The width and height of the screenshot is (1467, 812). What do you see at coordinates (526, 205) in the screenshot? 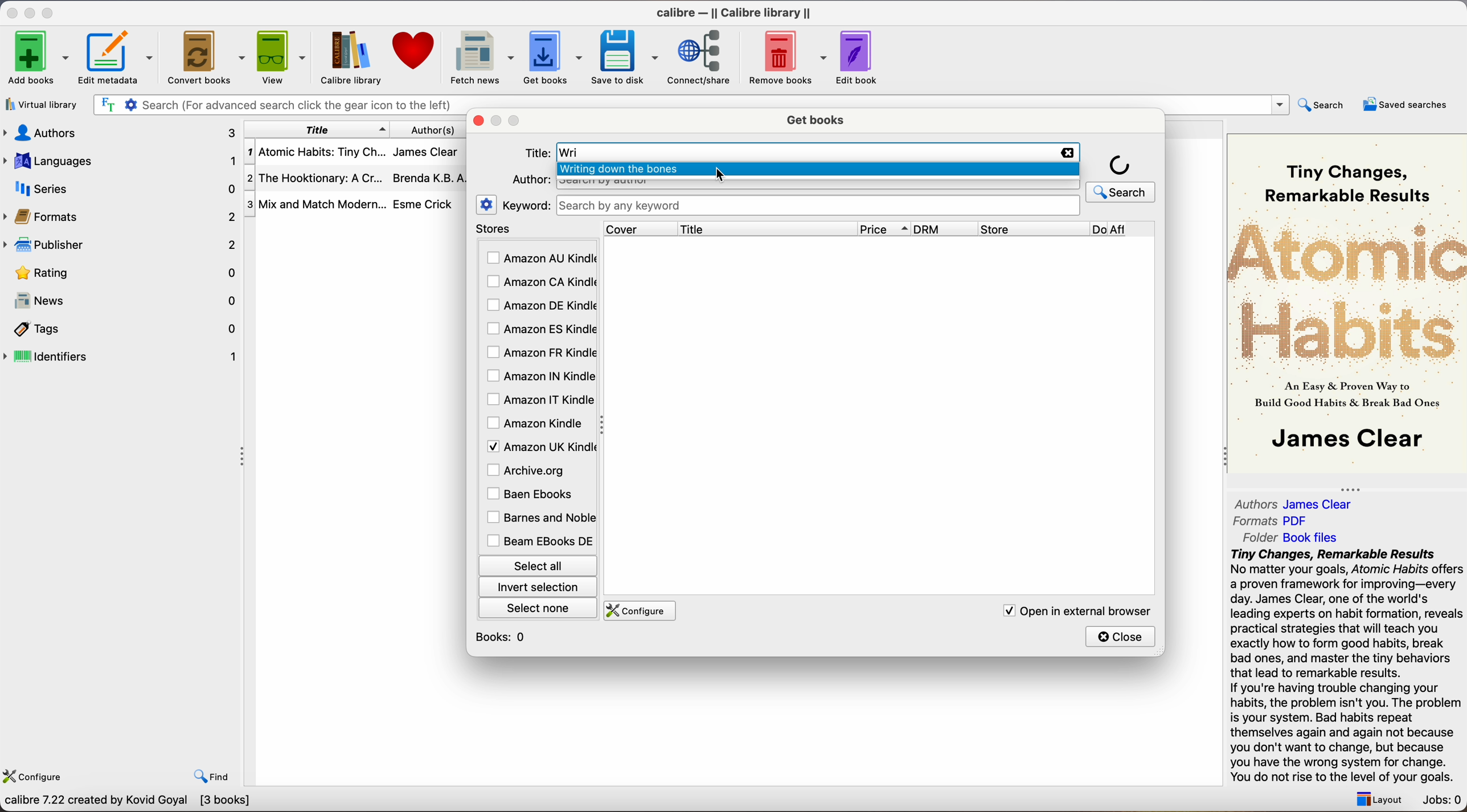
I see `keyword` at bounding box center [526, 205].